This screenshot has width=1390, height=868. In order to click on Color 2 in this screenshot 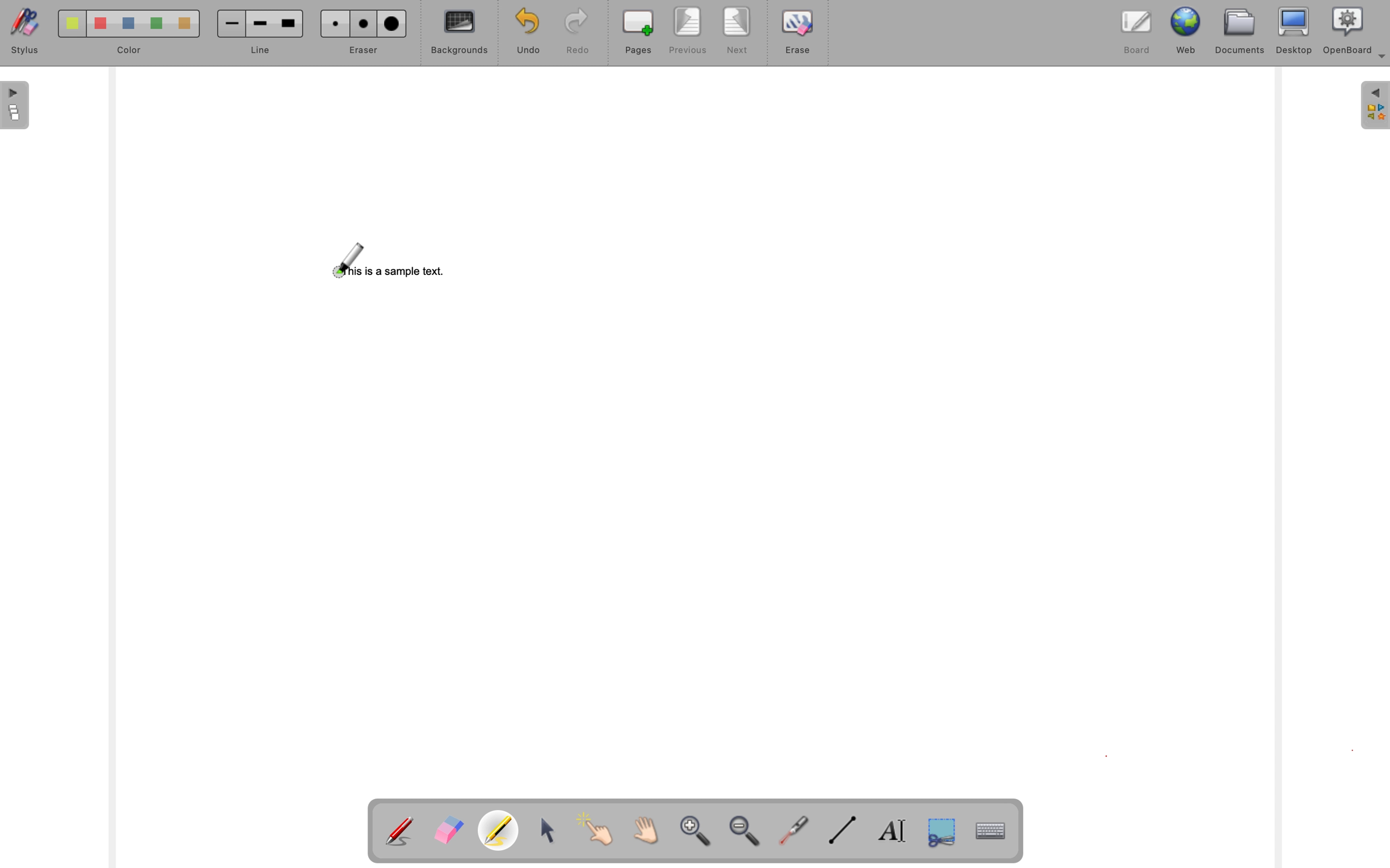, I will do `click(101, 24)`.